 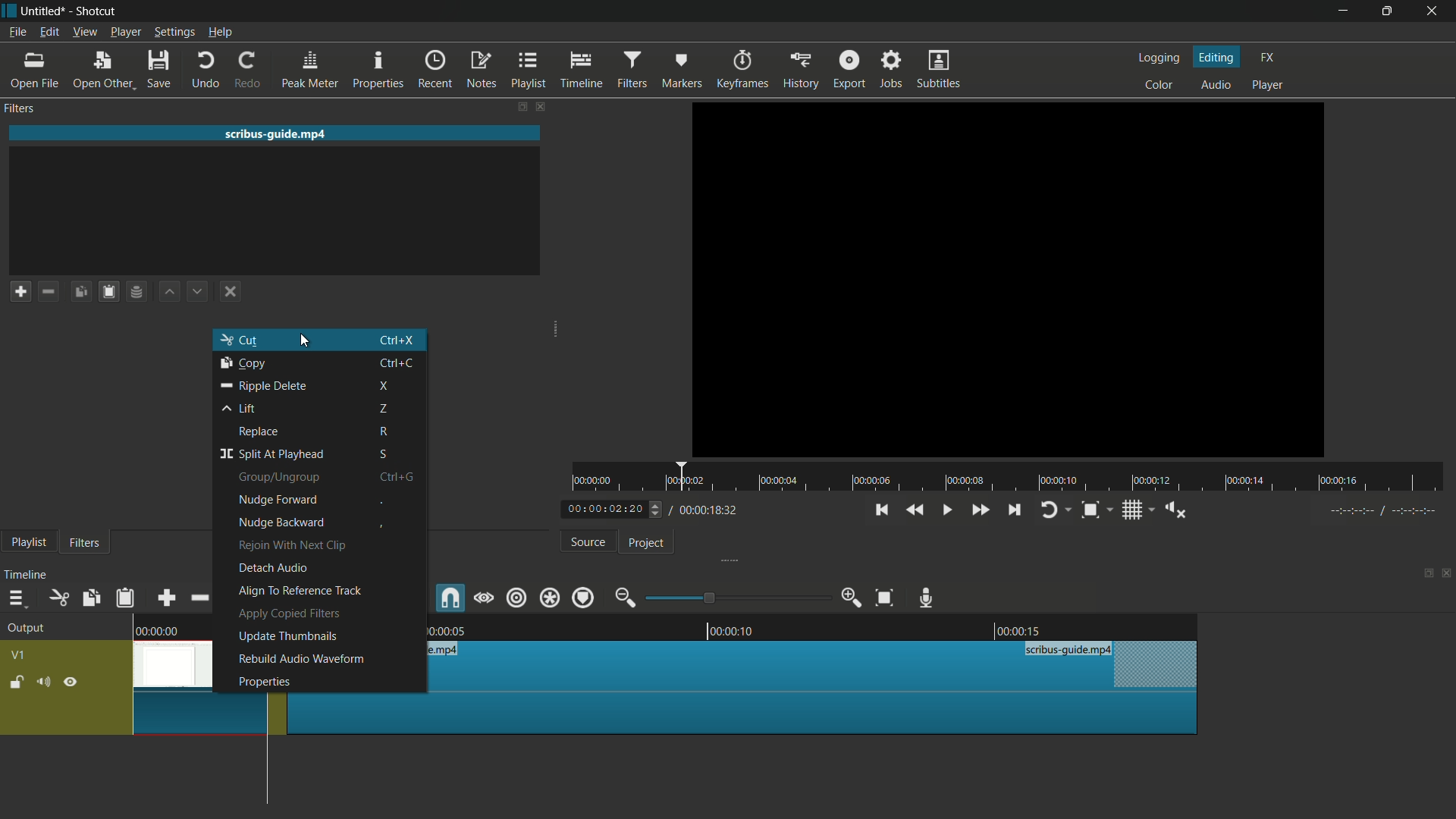 What do you see at coordinates (924, 598) in the screenshot?
I see `record audio` at bounding box center [924, 598].